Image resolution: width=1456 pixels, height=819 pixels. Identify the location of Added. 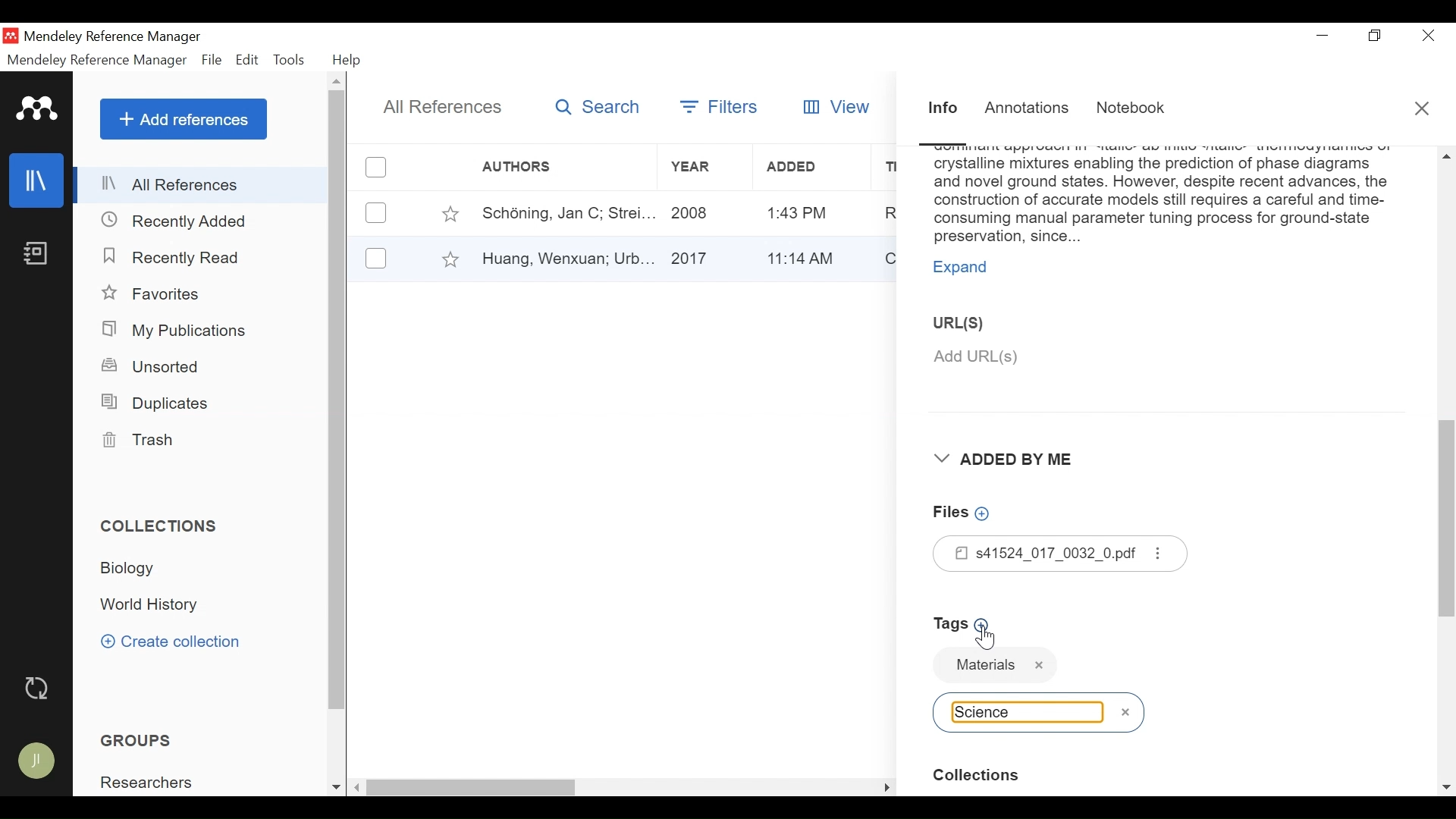
(808, 212).